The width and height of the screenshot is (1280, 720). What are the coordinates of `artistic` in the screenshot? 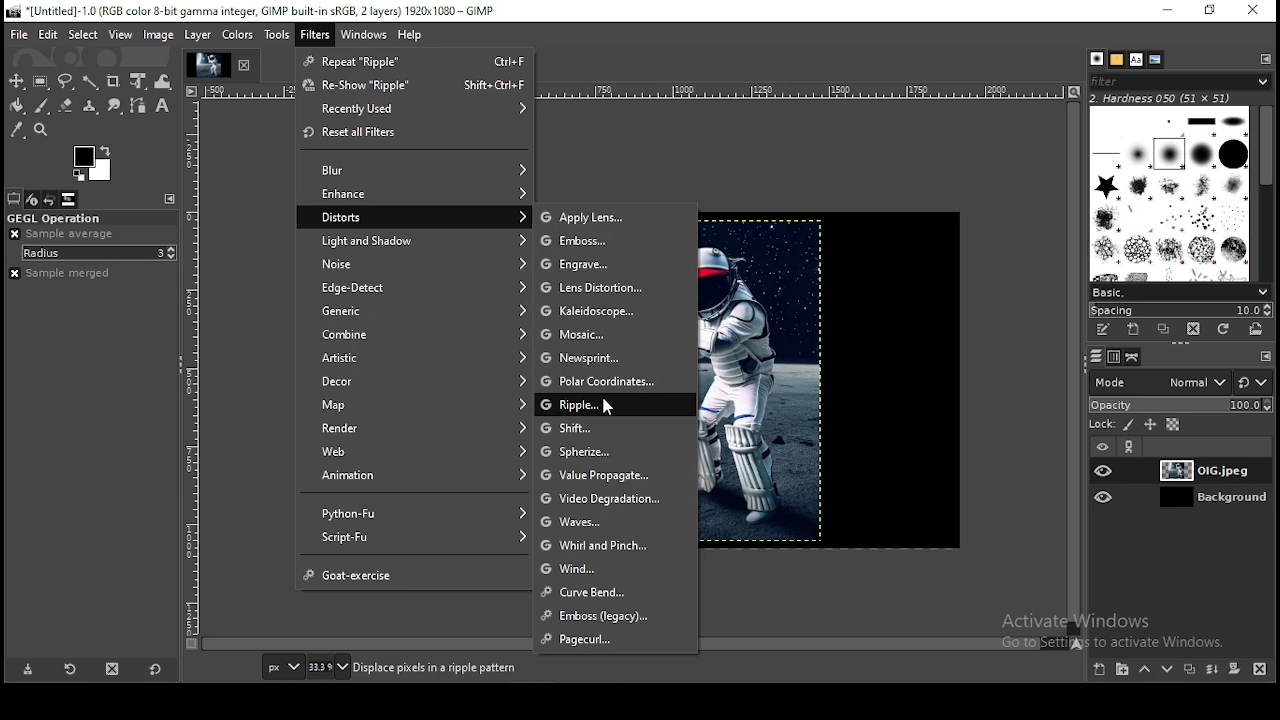 It's located at (423, 358).